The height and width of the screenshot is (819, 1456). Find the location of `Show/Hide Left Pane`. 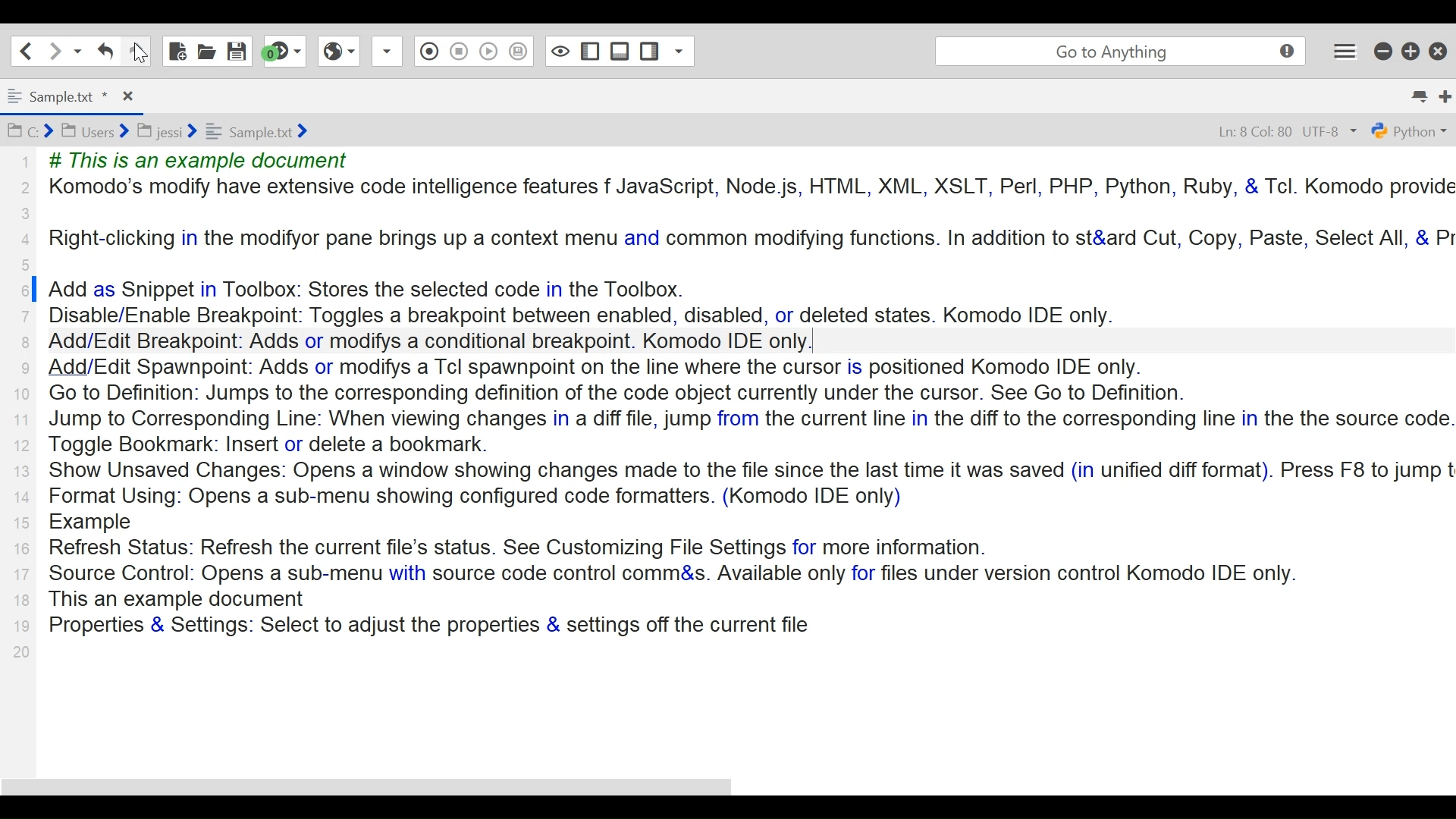

Show/Hide Left Pane is located at coordinates (591, 50).